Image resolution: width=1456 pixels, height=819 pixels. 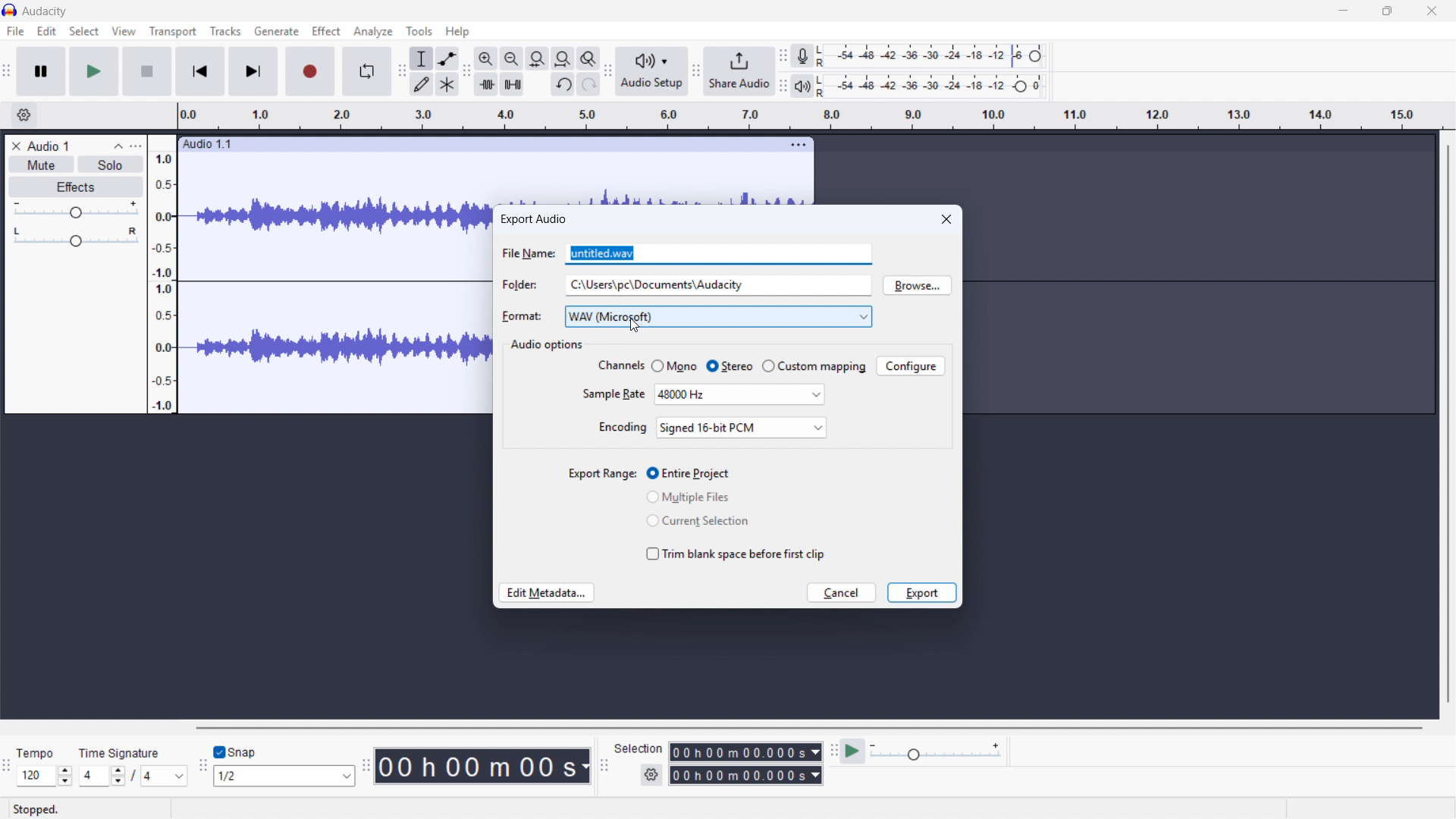 I want to click on Envelope tool , so click(x=447, y=58).